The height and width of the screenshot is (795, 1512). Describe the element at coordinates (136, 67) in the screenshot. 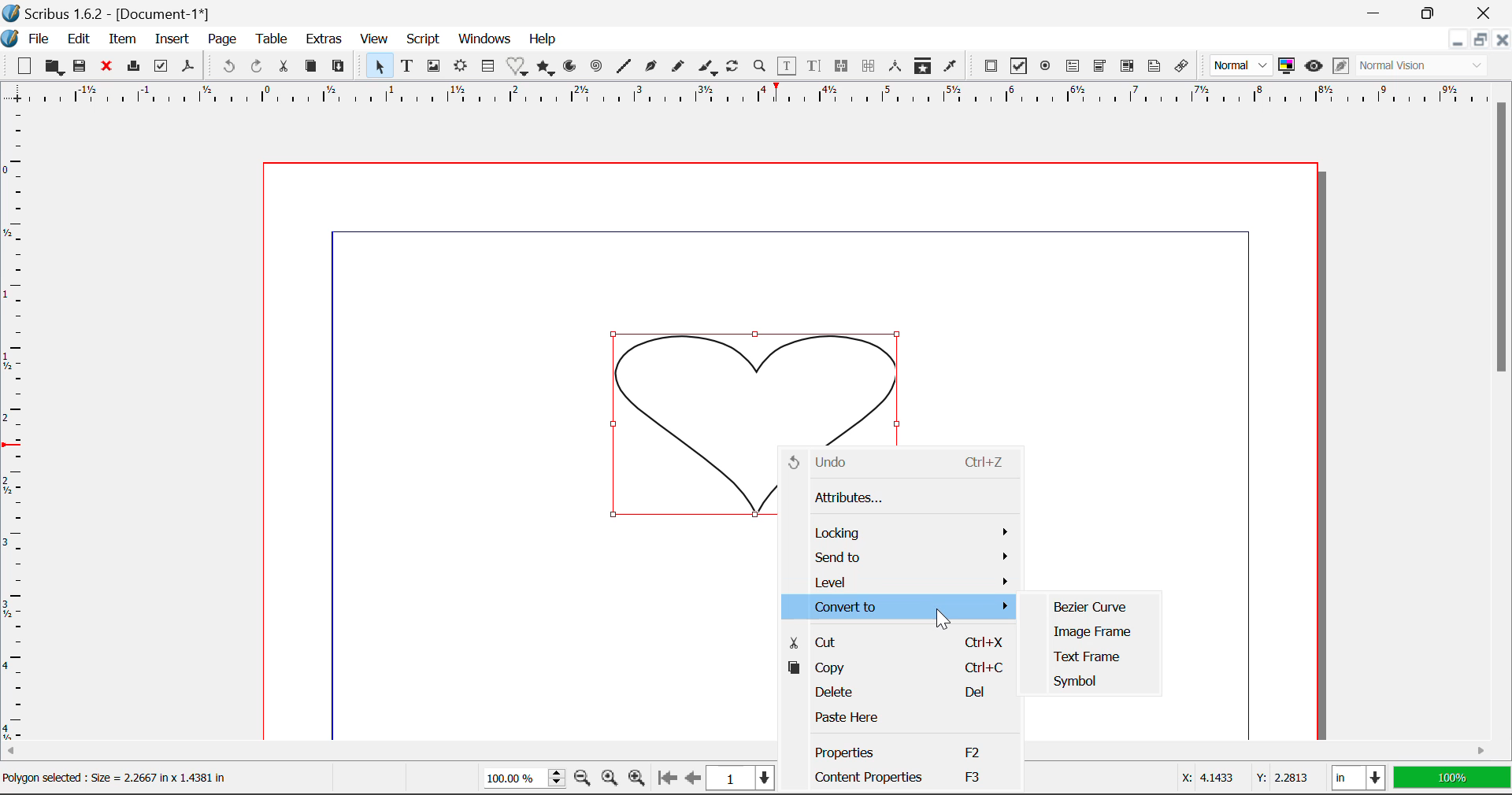

I see `Print` at that location.